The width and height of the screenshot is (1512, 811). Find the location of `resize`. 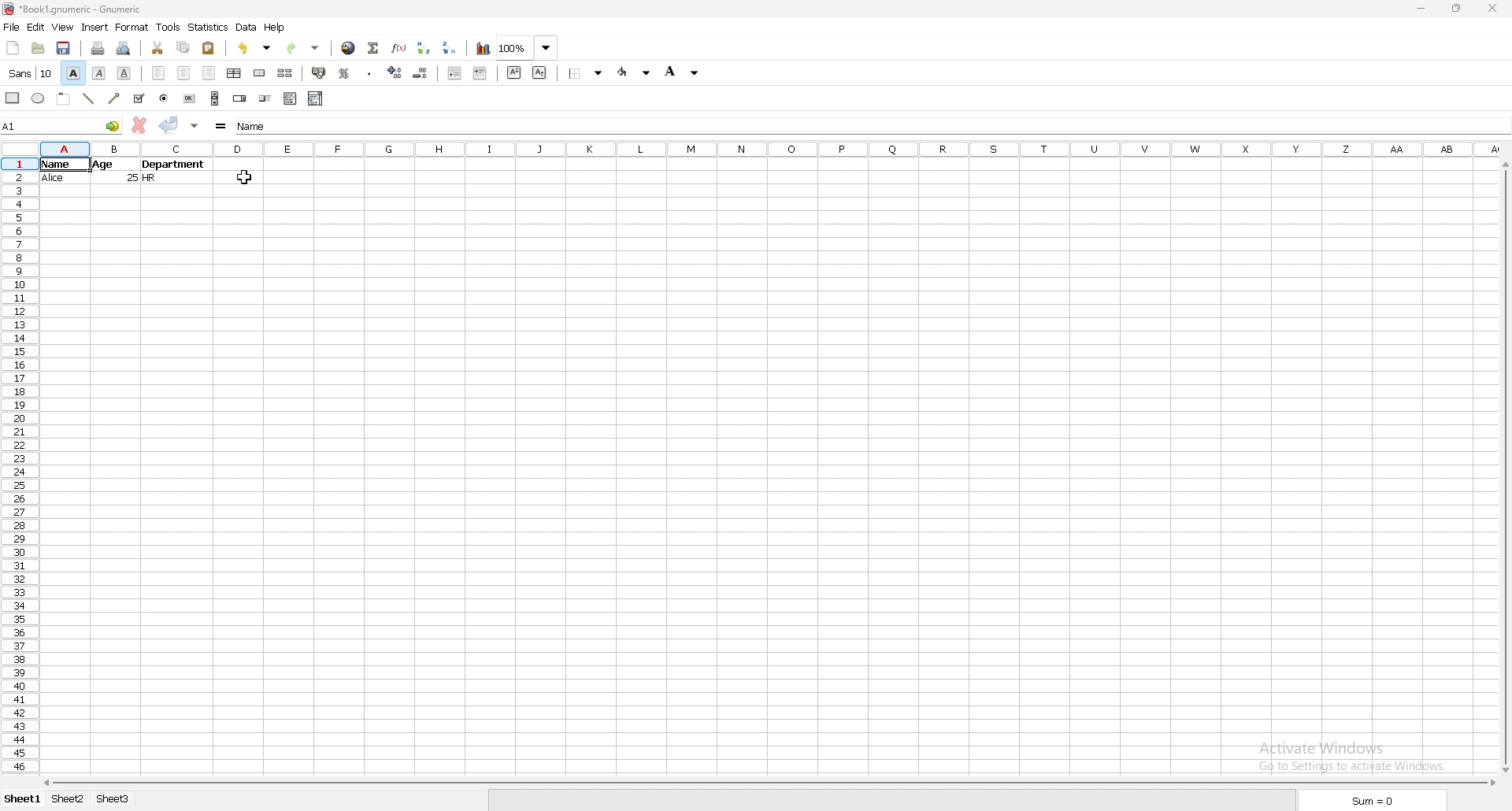

resize is located at coordinates (1455, 9).